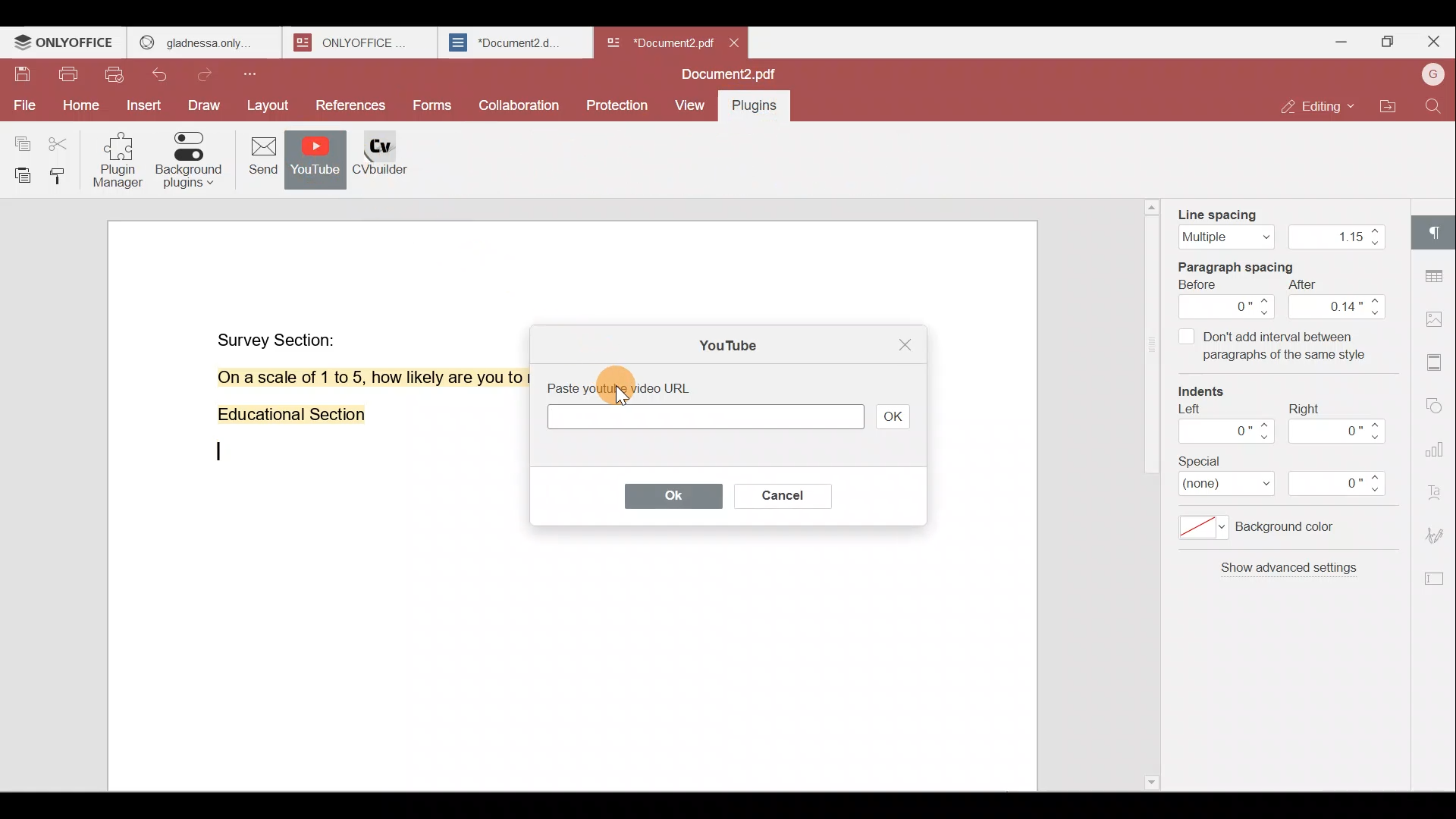  Describe the element at coordinates (285, 418) in the screenshot. I see `Educational Section` at that location.